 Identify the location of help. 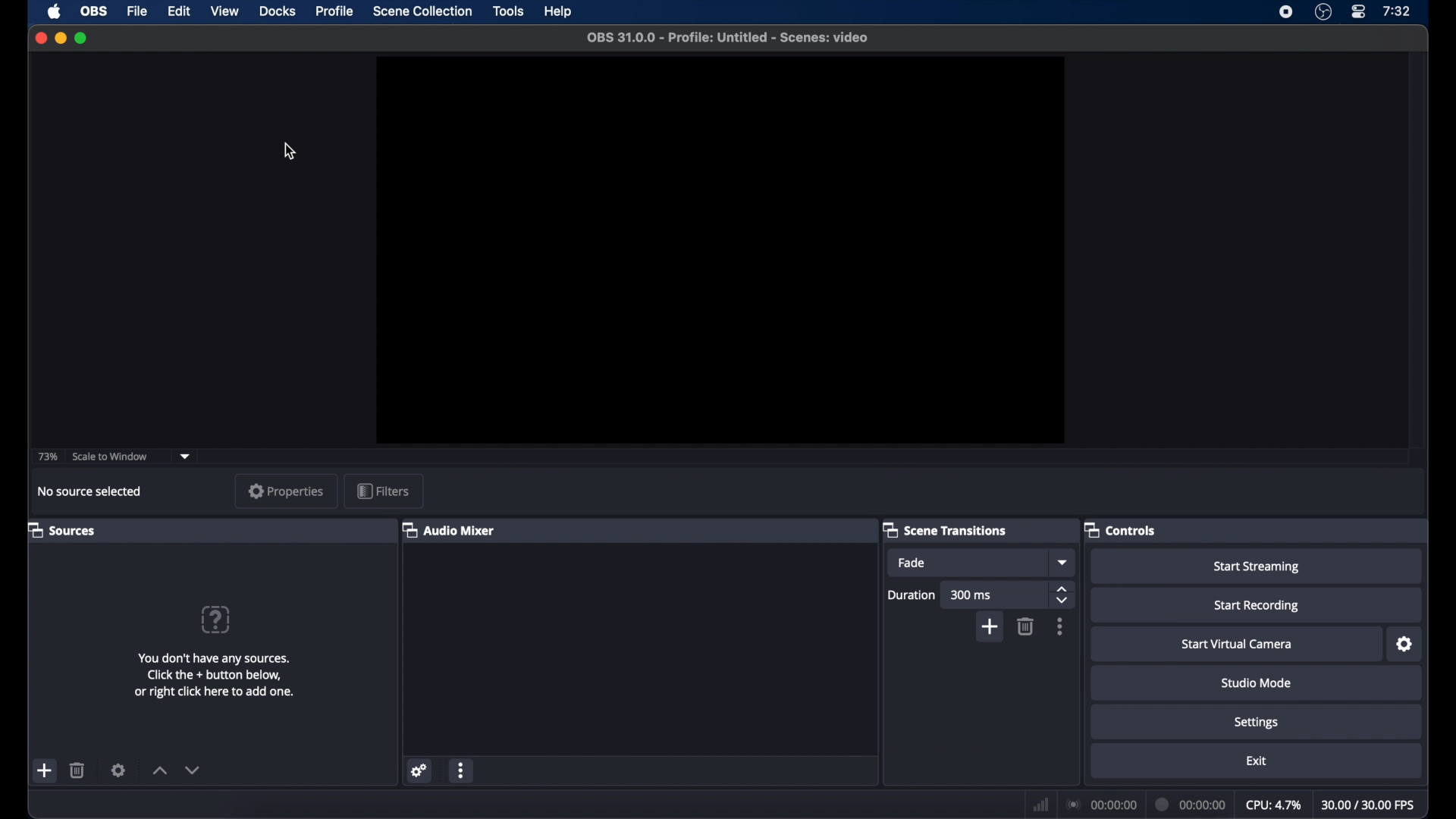
(559, 12).